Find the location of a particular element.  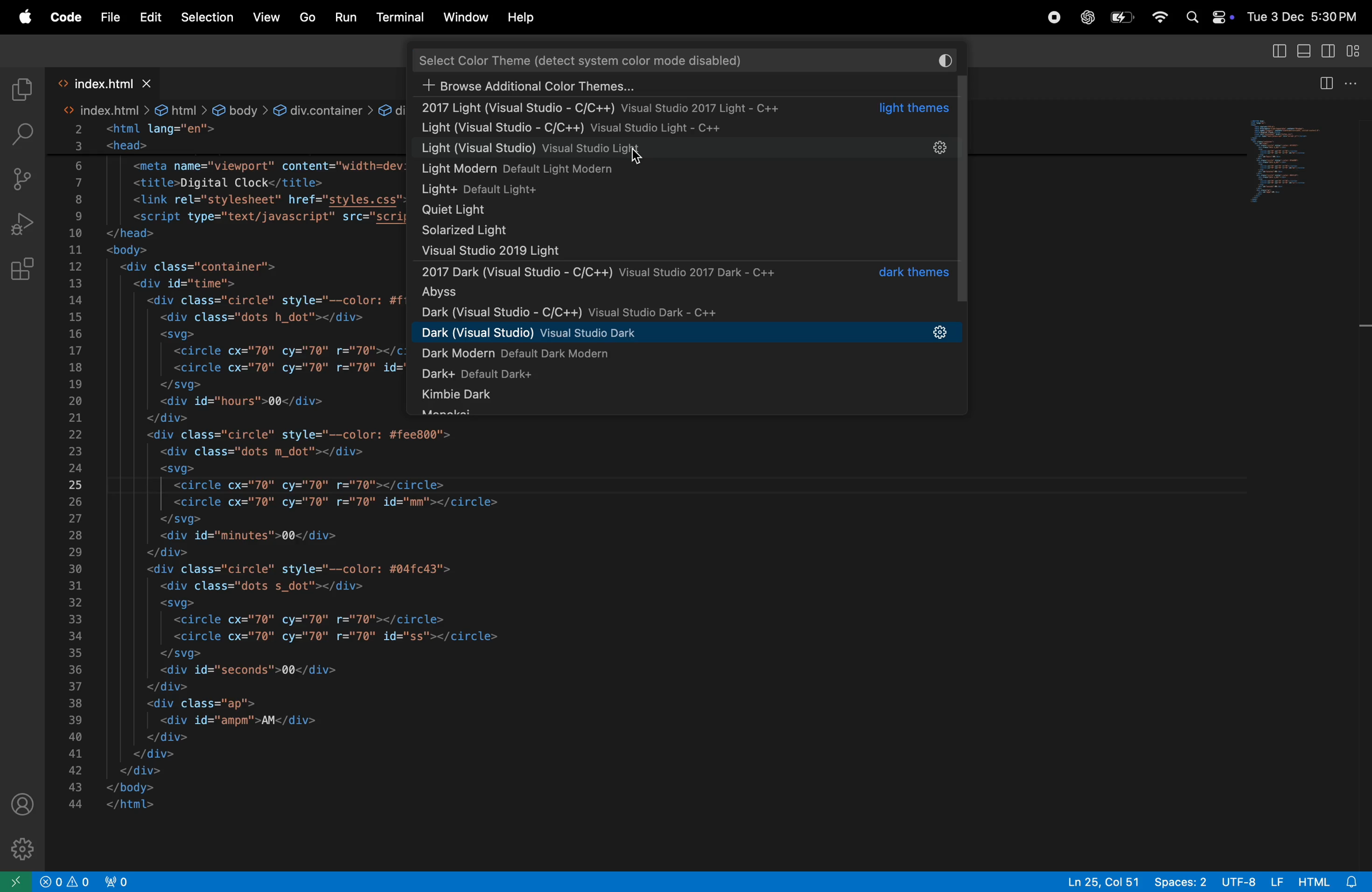

edit is located at coordinates (149, 17).